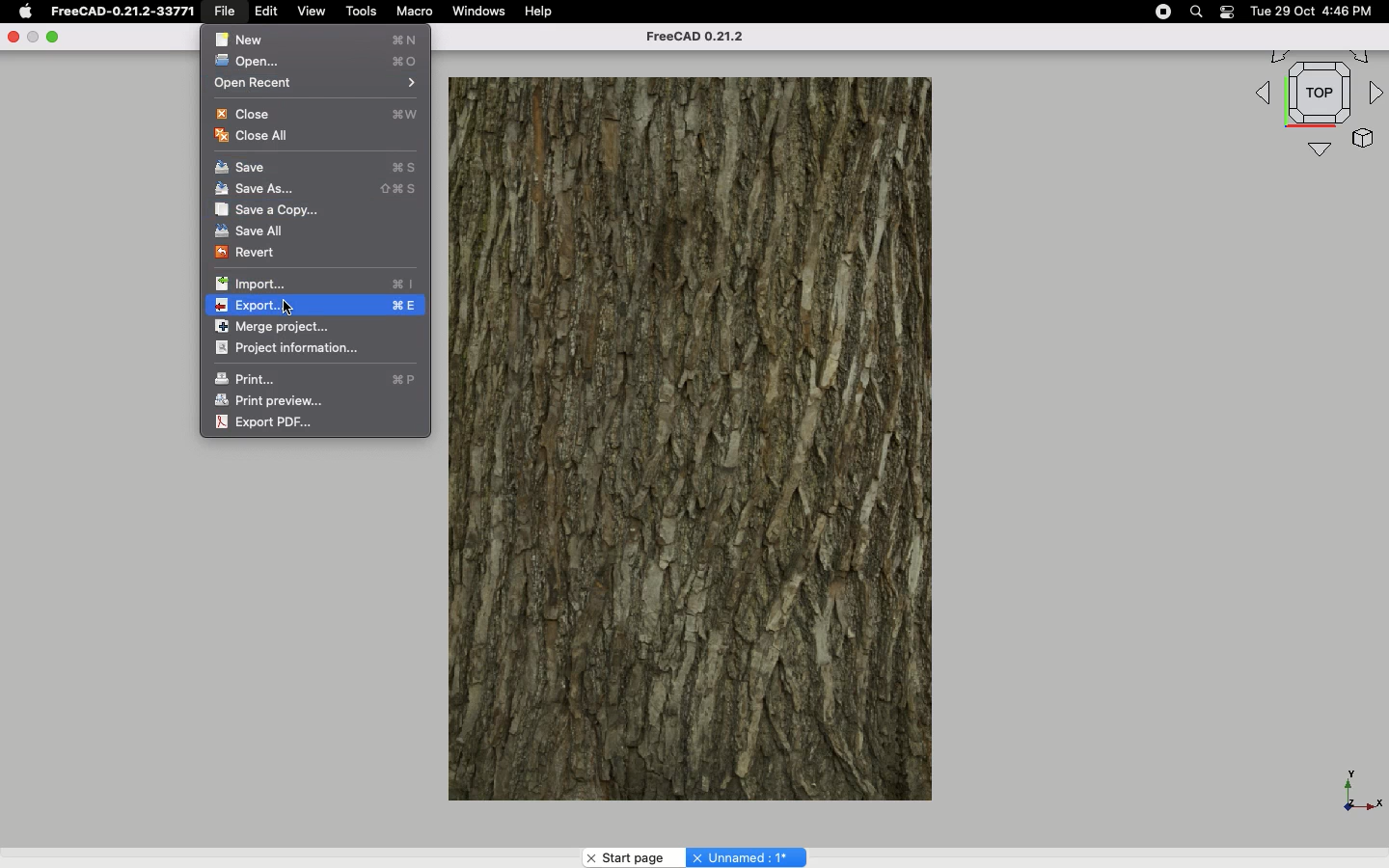 Image resolution: width=1389 pixels, height=868 pixels. What do you see at coordinates (702, 39) in the screenshot?
I see `FreeCAD 0.21.2` at bounding box center [702, 39].